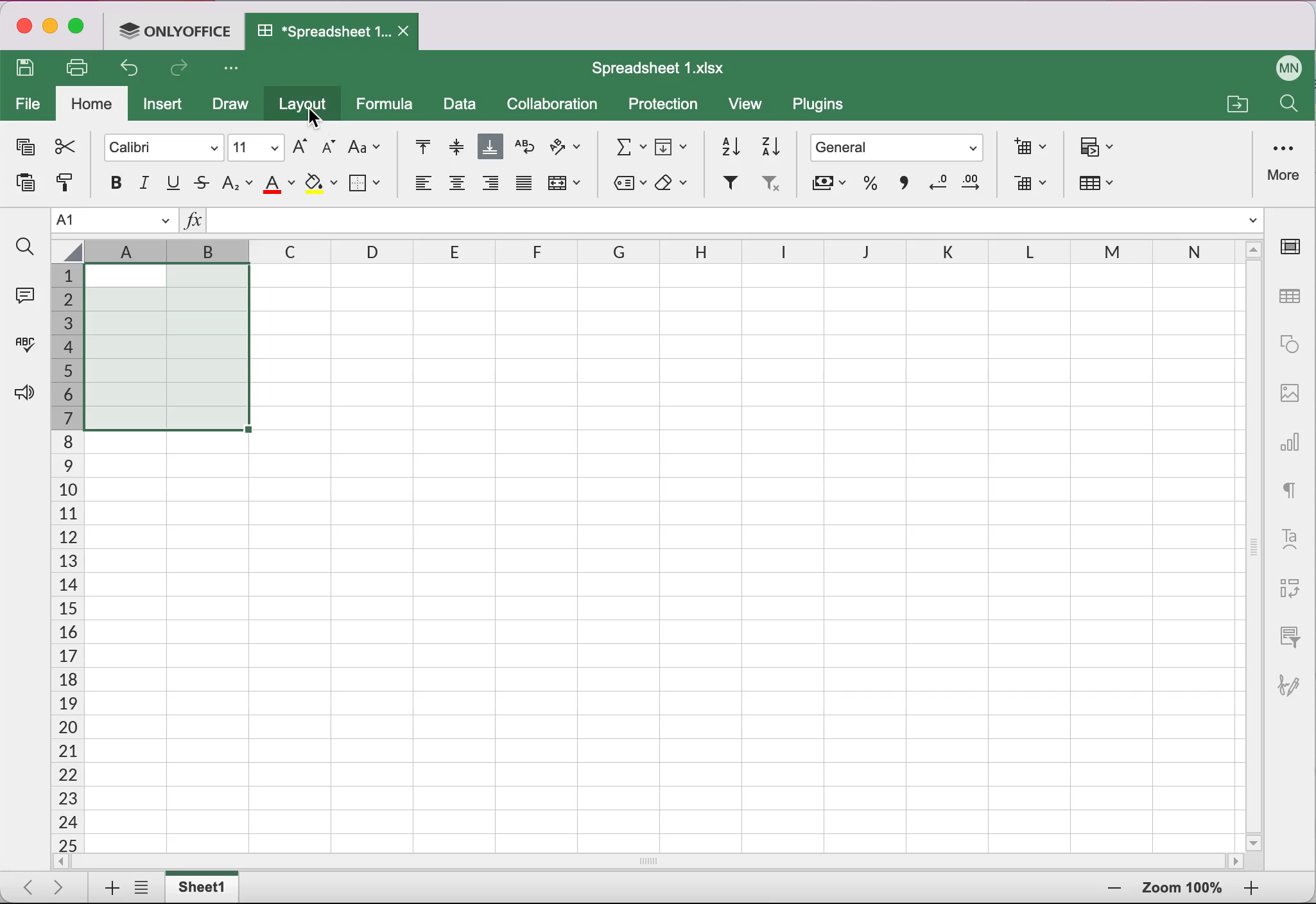 The image size is (1316, 904). What do you see at coordinates (772, 145) in the screenshot?
I see `sort descending` at bounding box center [772, 145].